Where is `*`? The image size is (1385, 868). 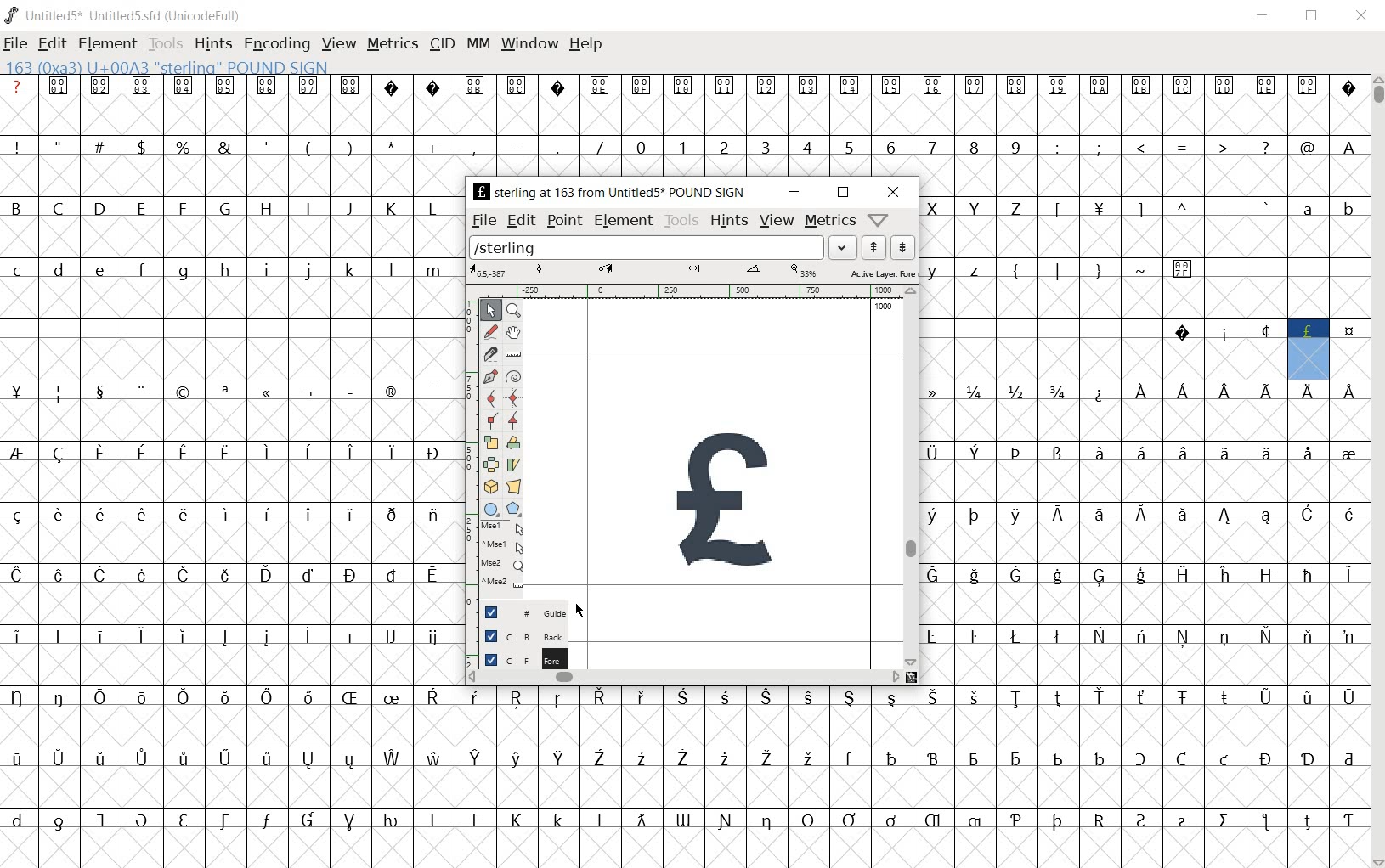 * is located at coordinates (393, 145).